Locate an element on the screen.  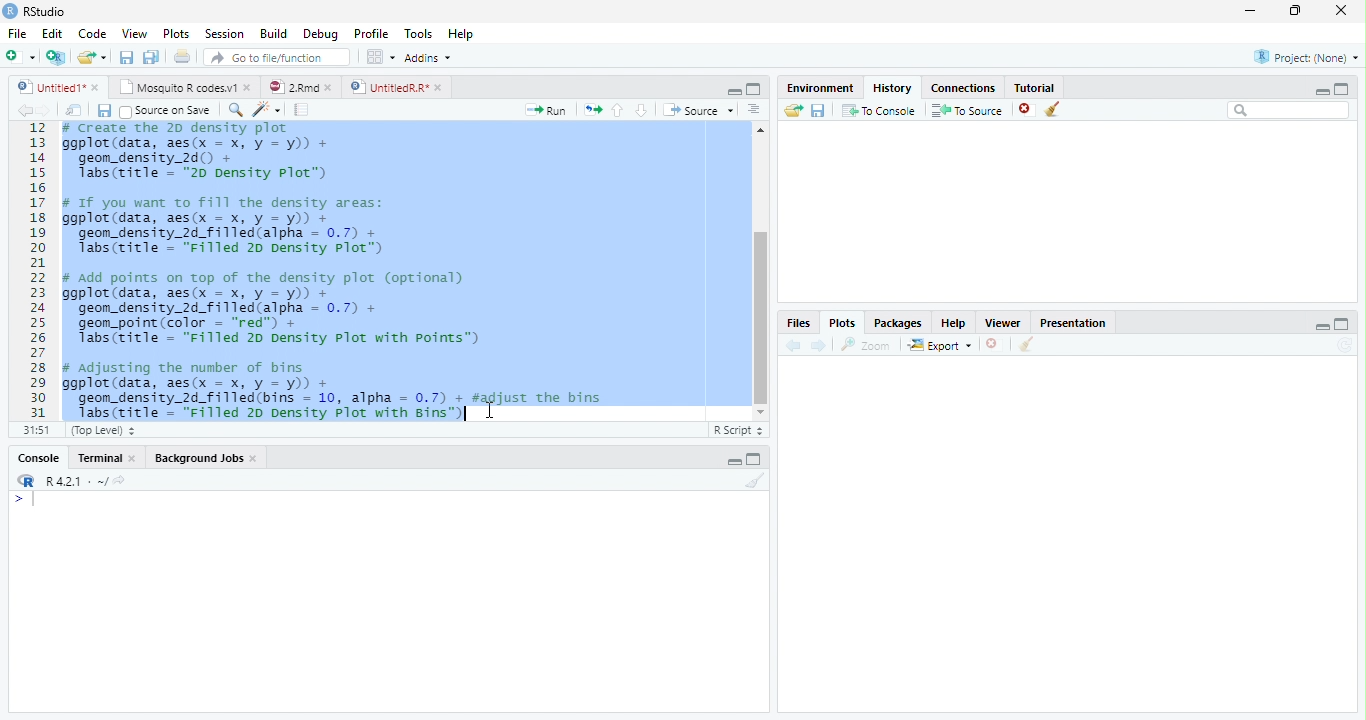
Presentatior is located at coordinates (1072, 324).